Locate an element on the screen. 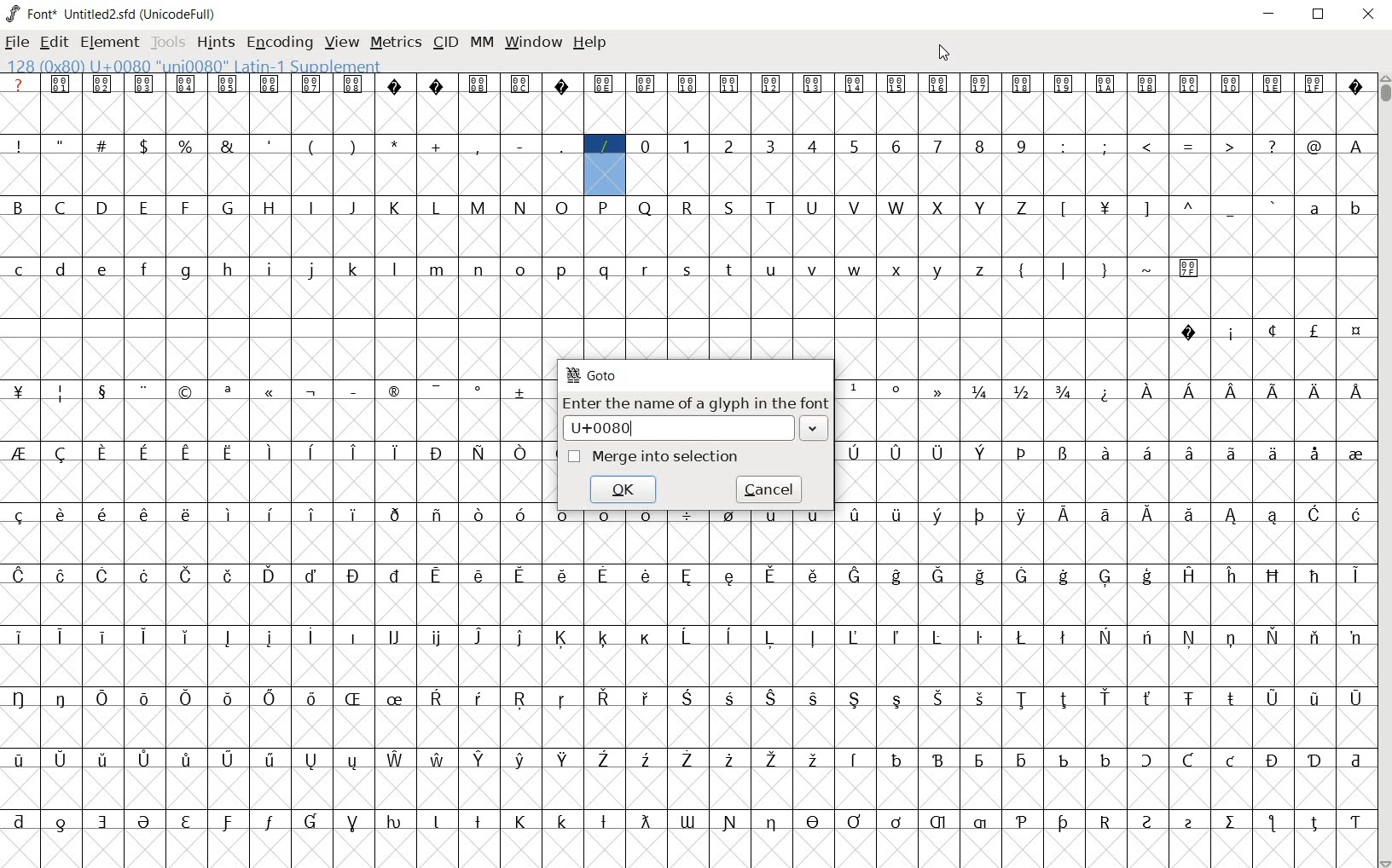 The image size is (1392, 868). glyph is located at coordinates (1064, 513).